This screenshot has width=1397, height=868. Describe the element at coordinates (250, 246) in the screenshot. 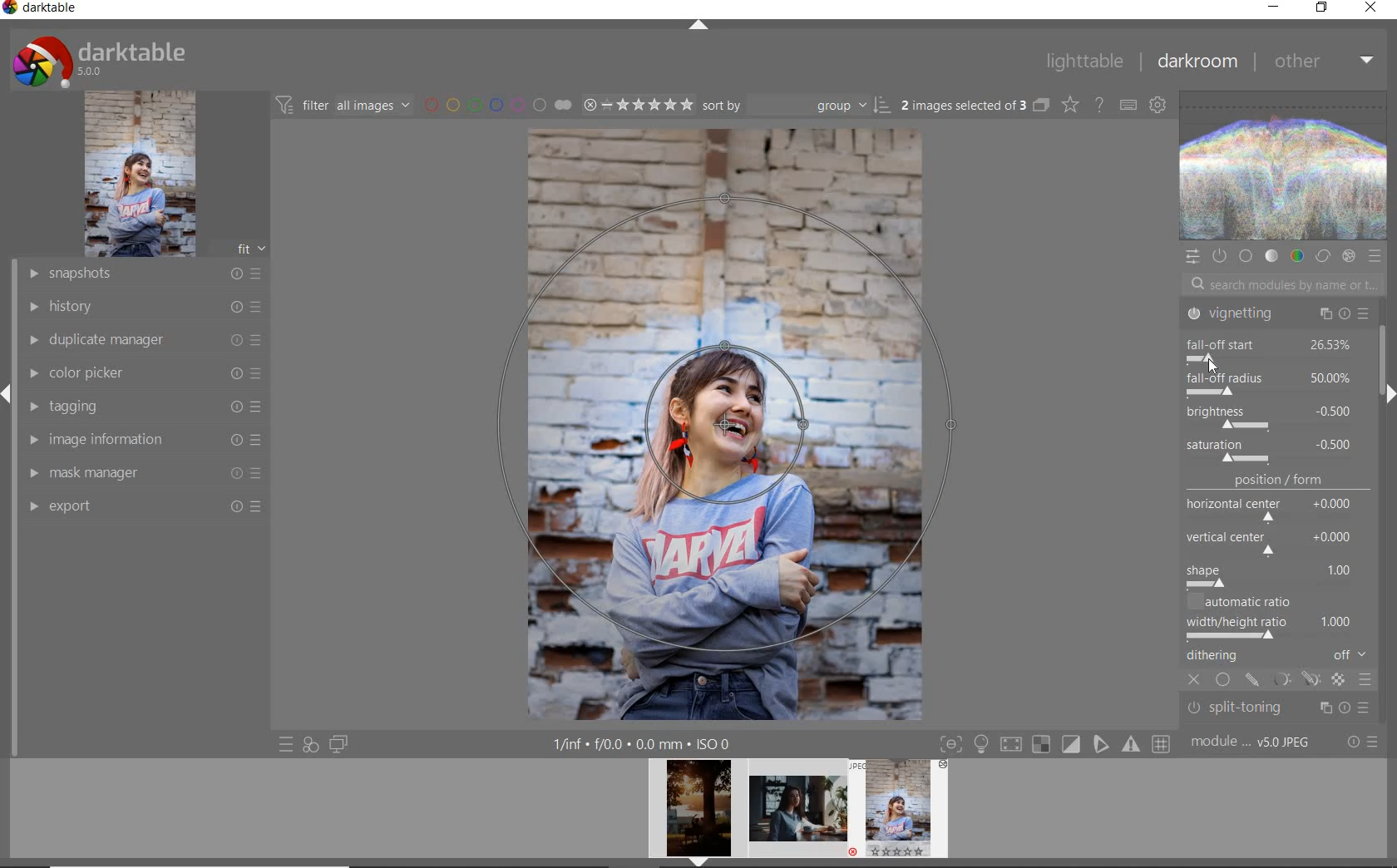

I see `frt` at that location.